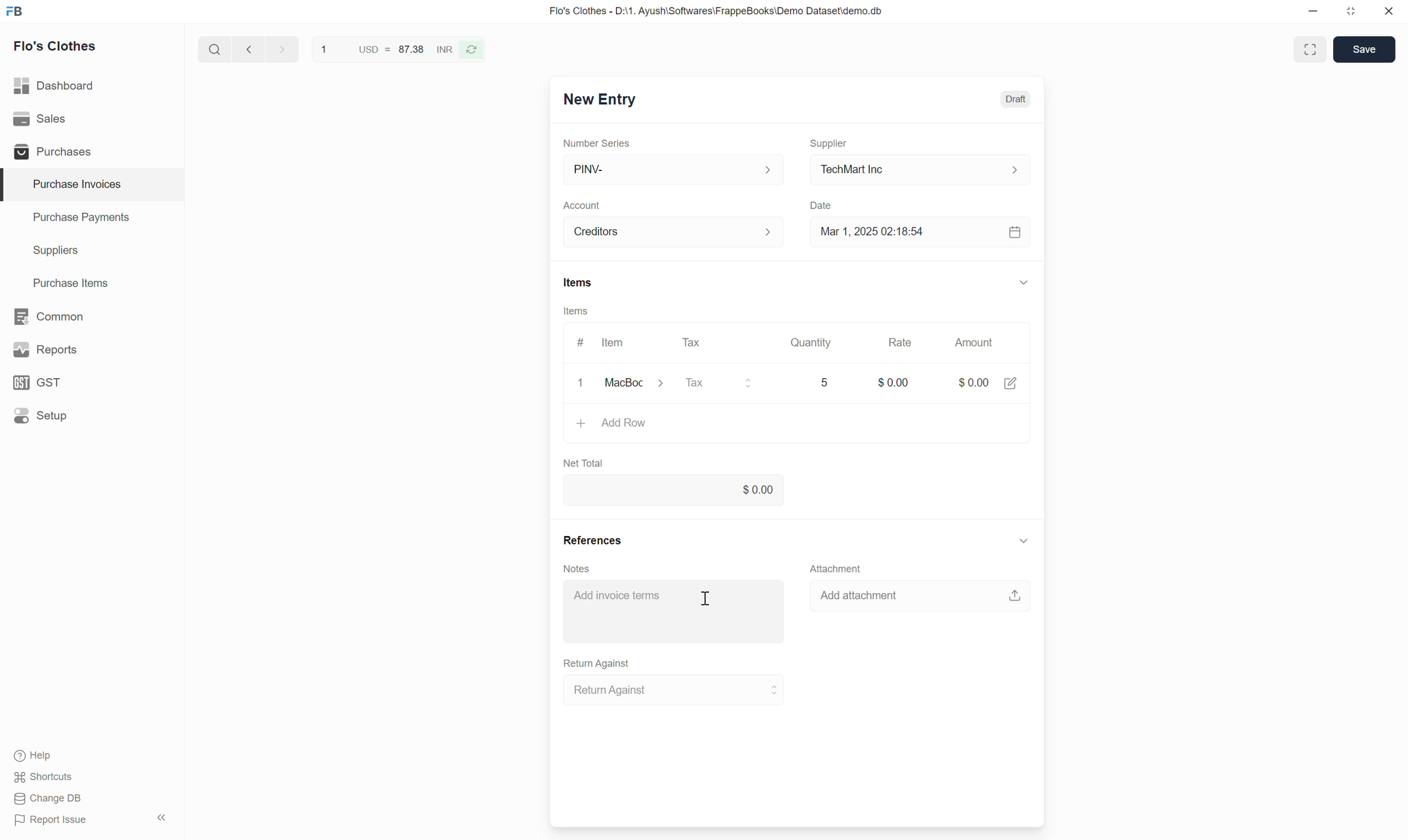  What do you see at coordinates (385, 49) in the screenshot?
I see `1 USD = 87.38 INR` at bounding box center [385, 49].